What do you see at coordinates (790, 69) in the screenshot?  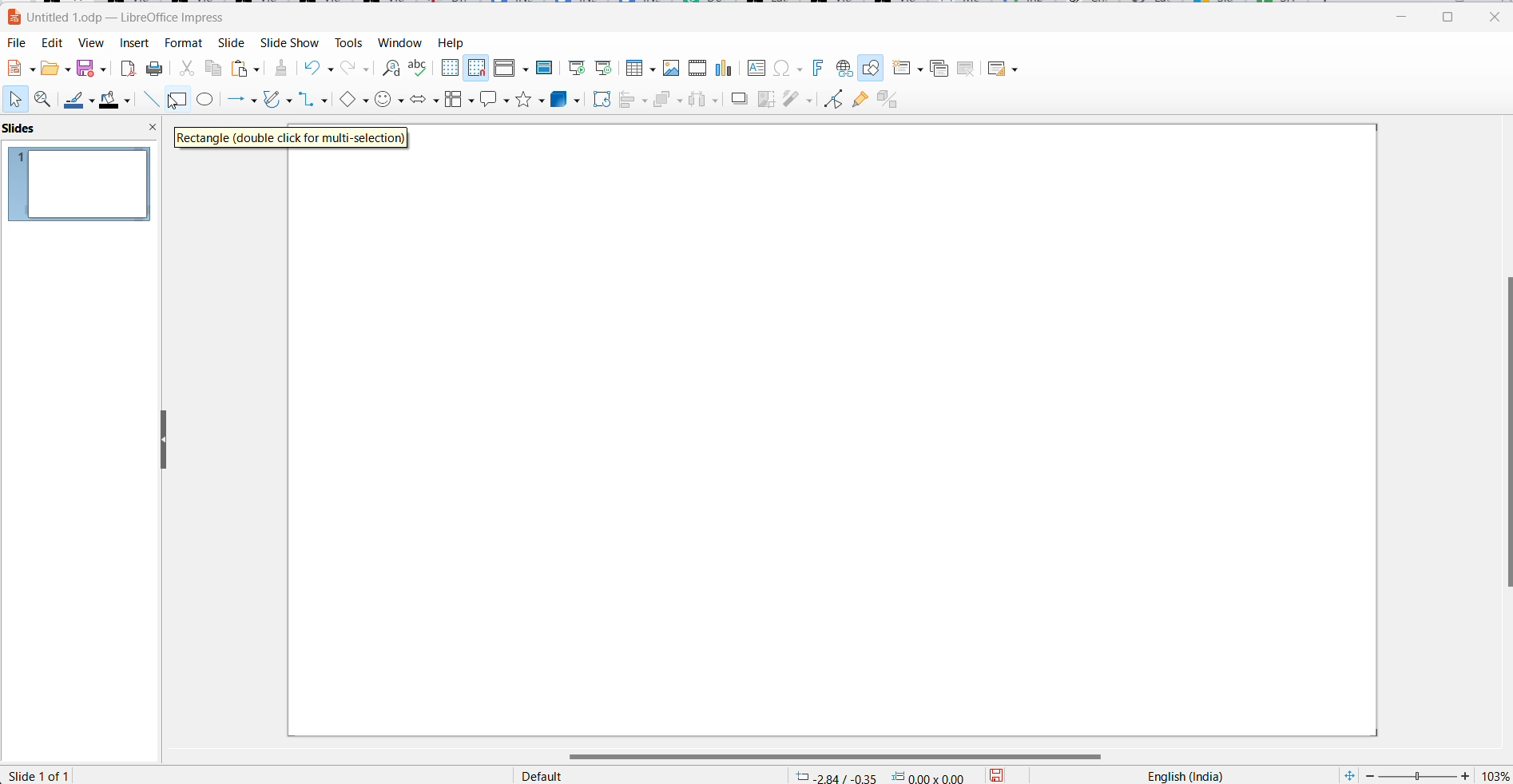 I see `Insert special characters` at bounding box center [790, 69].